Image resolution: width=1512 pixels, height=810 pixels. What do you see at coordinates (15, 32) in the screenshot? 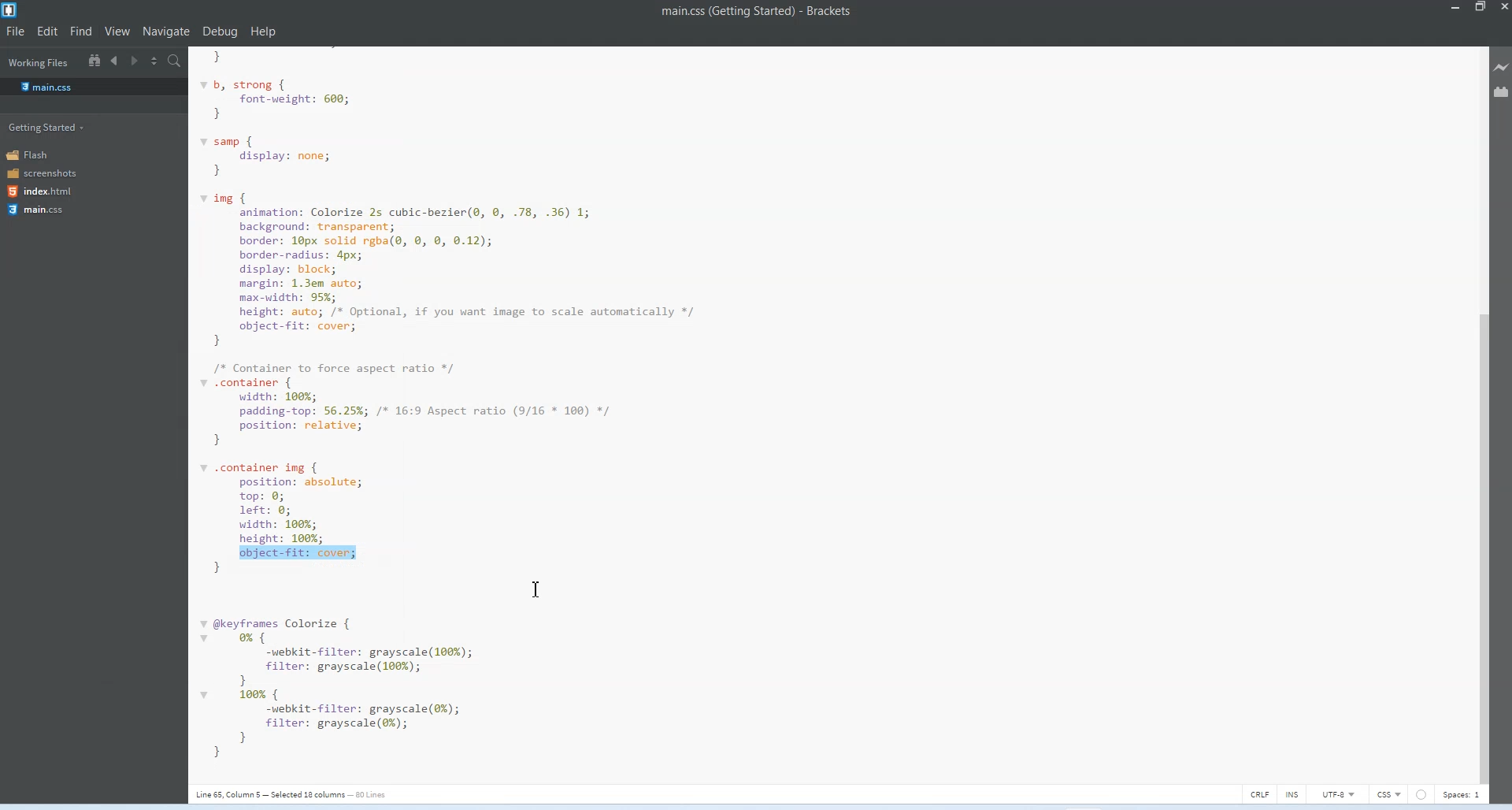
I see `File` at bounding box center [15, 32].